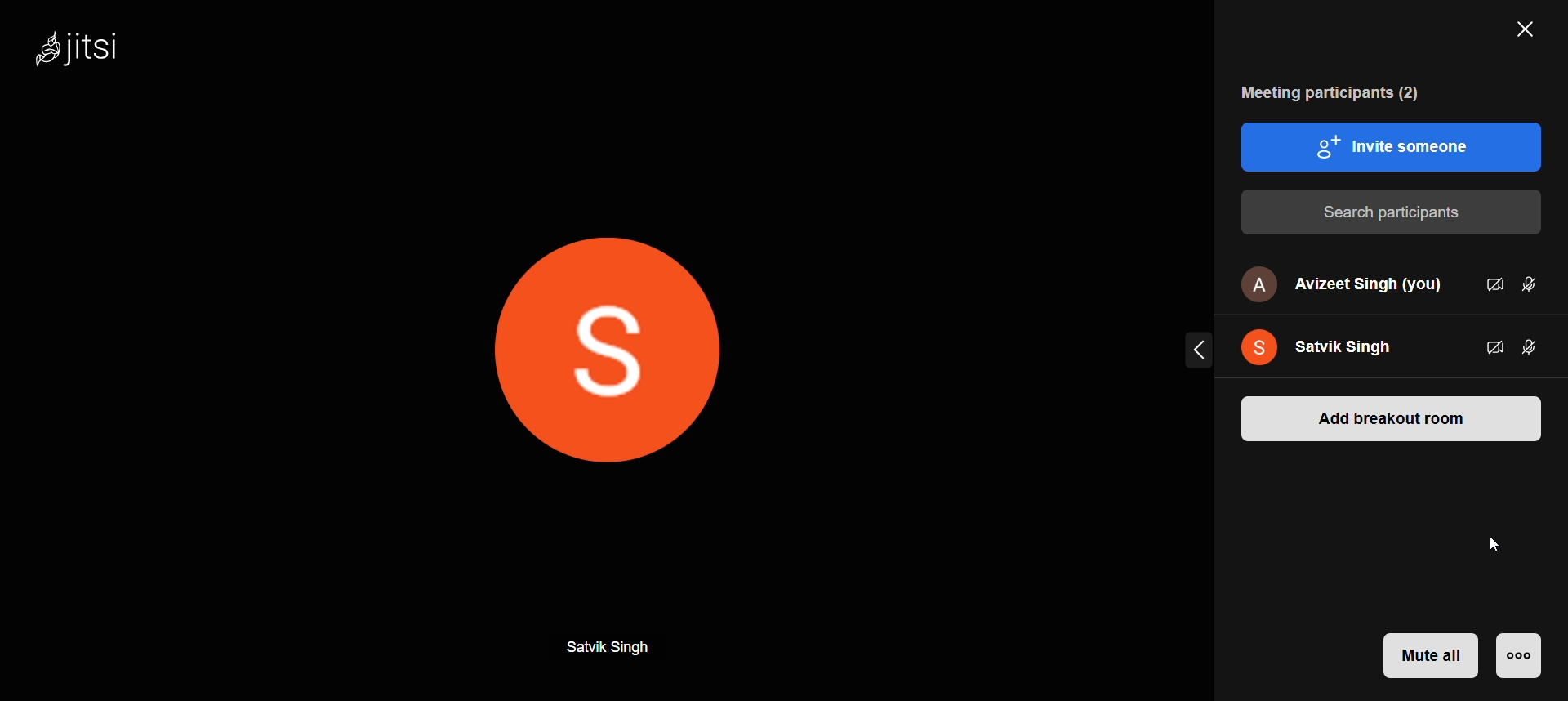 The width and height of the screenshot is (1568, 701). What do you see at coordinates (1533, 347) in the screenshot?
I see `mic status` at bounding box center [1533, 347].